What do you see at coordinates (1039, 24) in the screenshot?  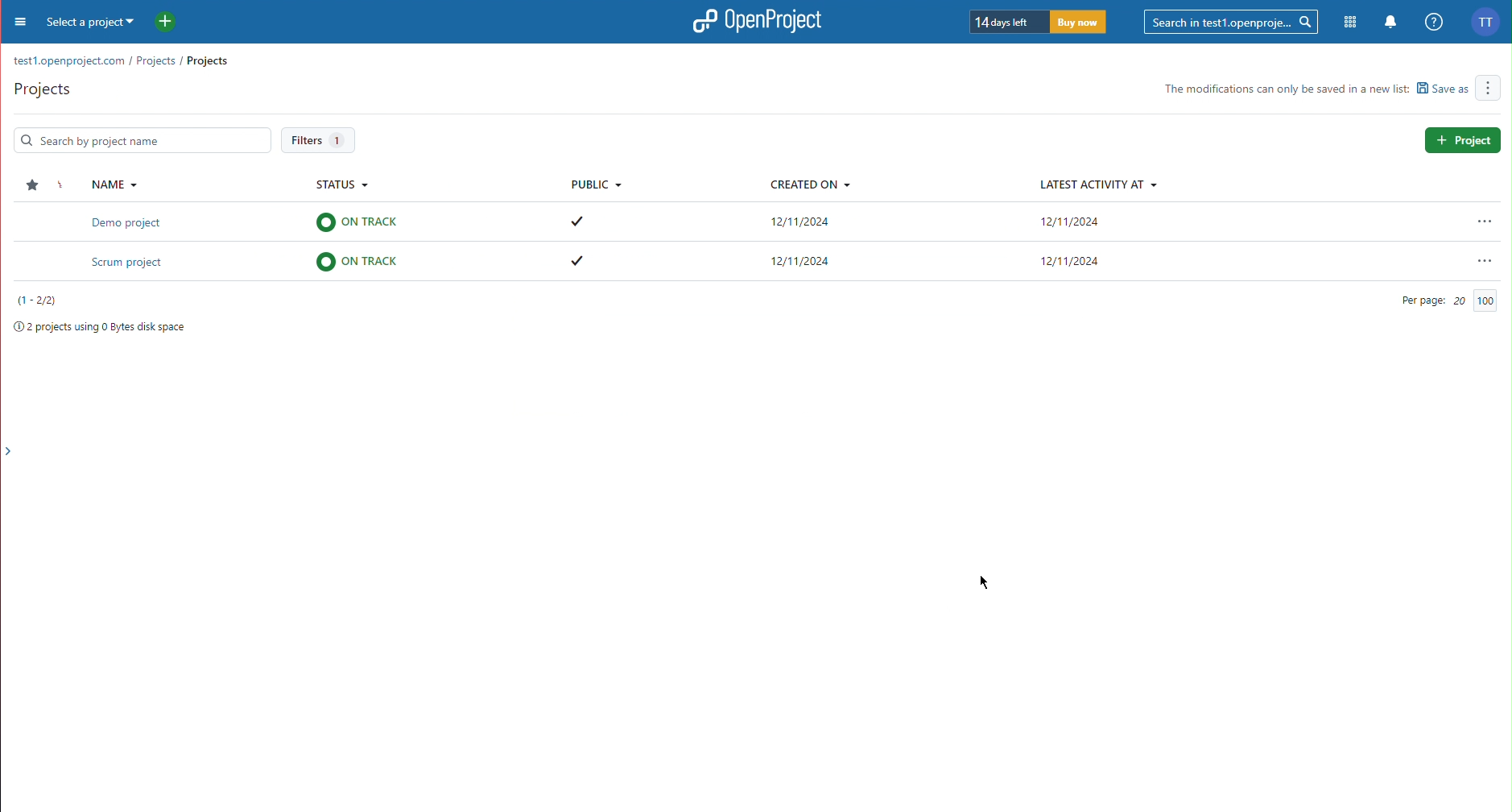 I see `Trial timer` at bounding box center [1039, 24].